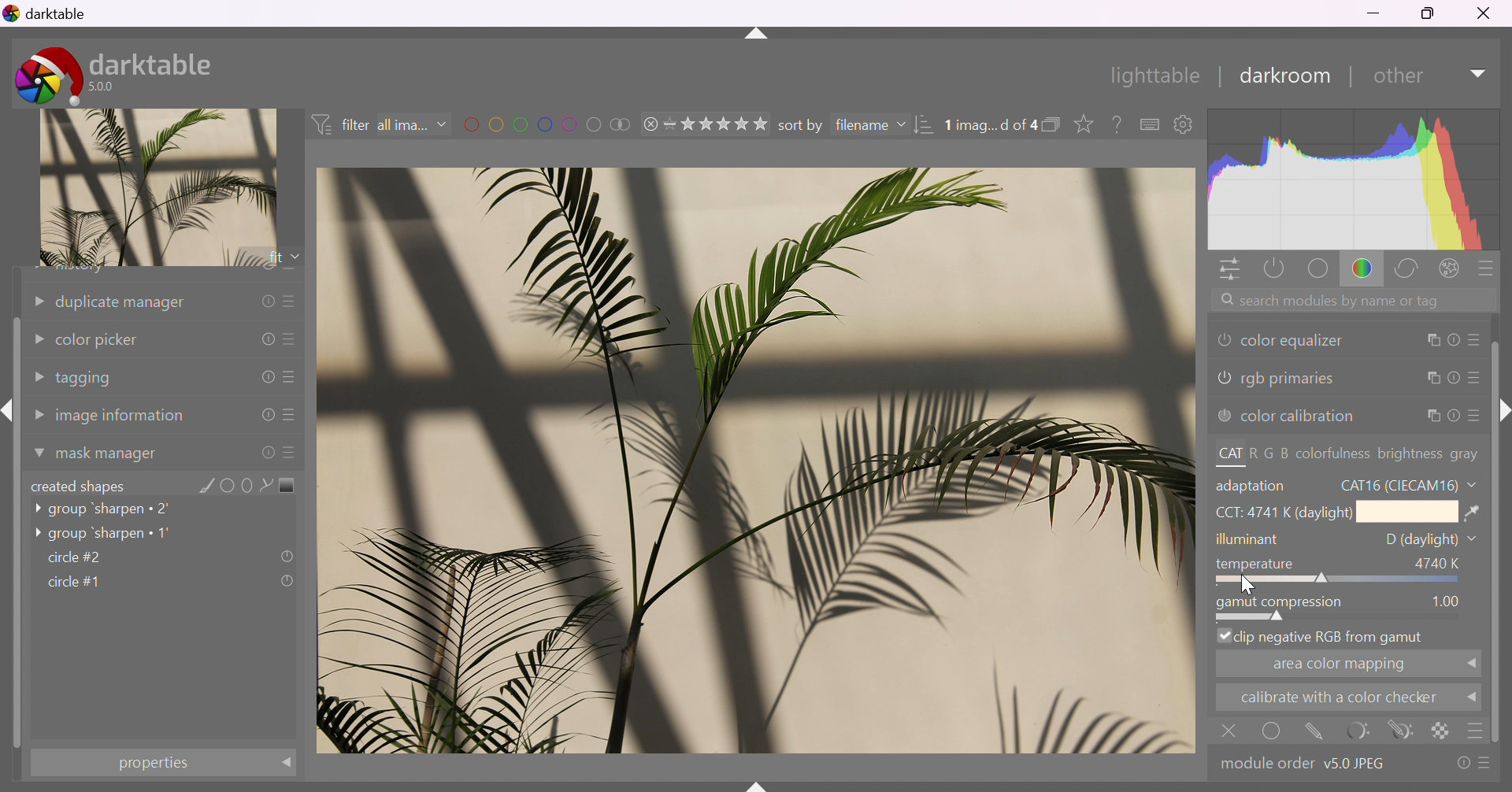 This screenshot has width=1512, height=792. I want to click on tempreture, so click(1350, 570).